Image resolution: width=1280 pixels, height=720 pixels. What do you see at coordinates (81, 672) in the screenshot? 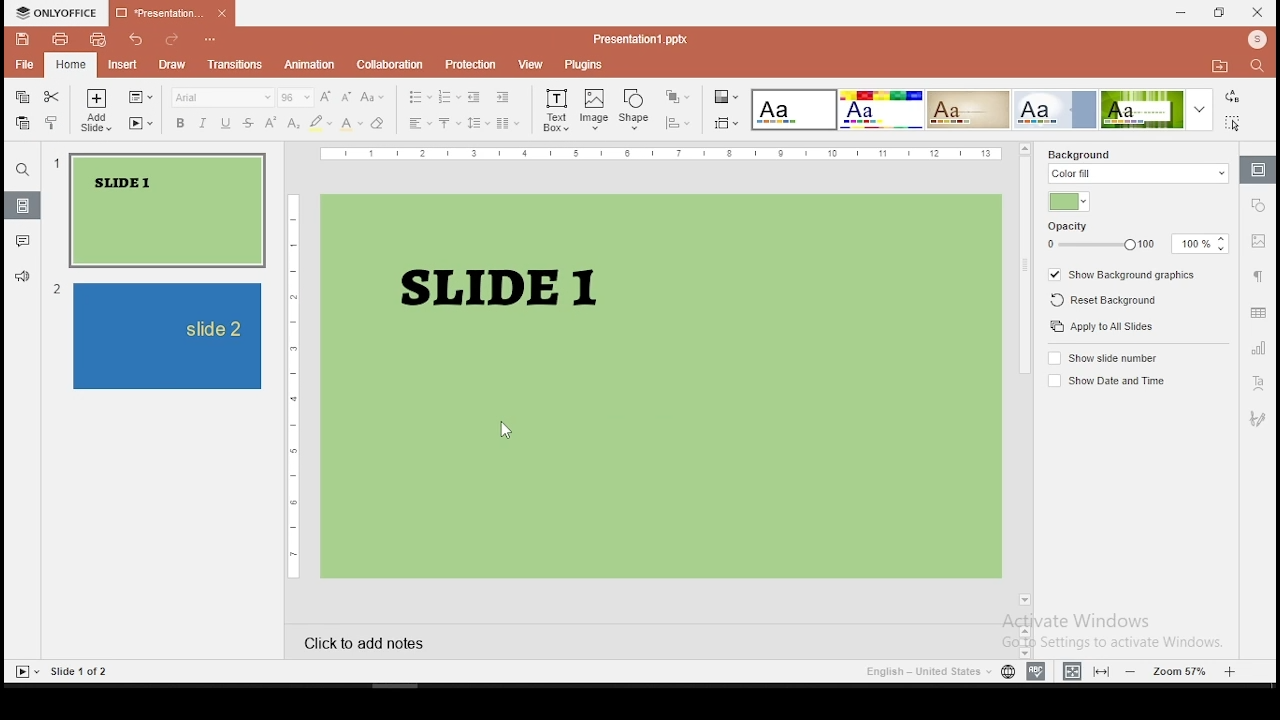
I see `Slide 1 of 2` at bounding box center [81, 672].